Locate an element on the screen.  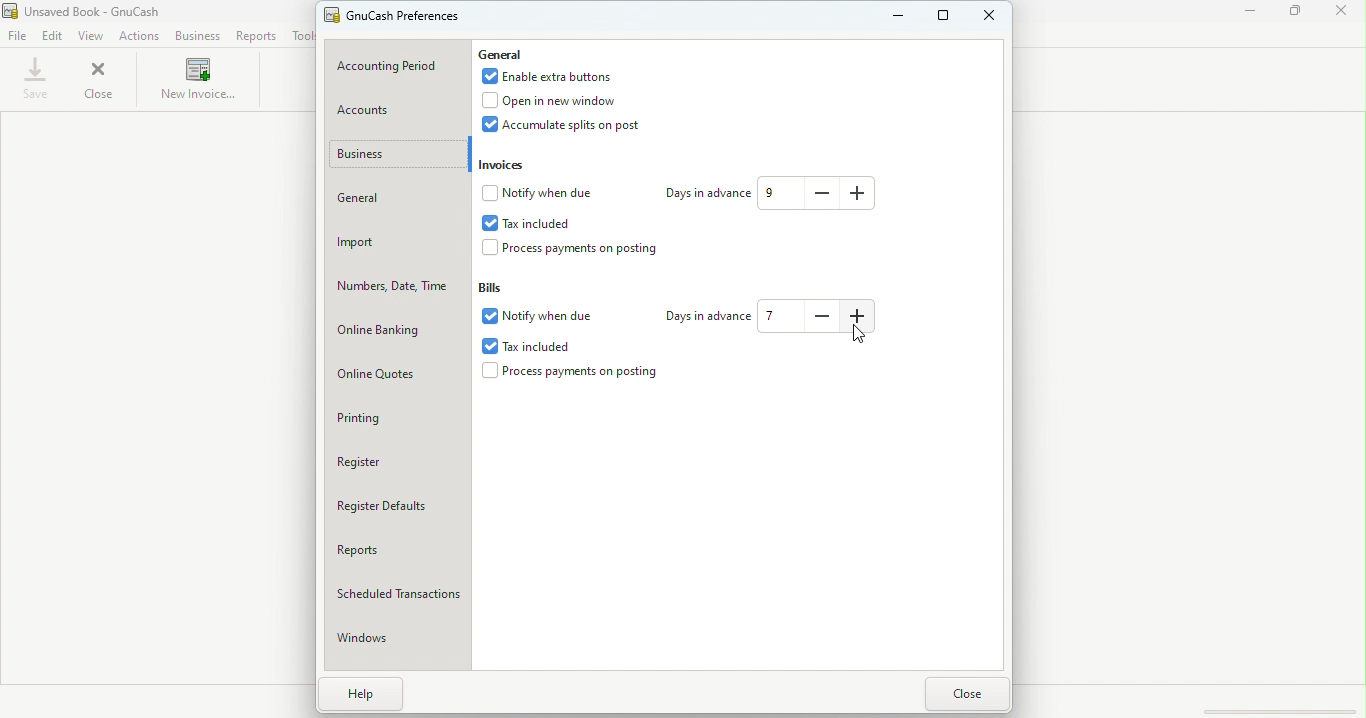
Minimize is located at coordinates (891, 18).